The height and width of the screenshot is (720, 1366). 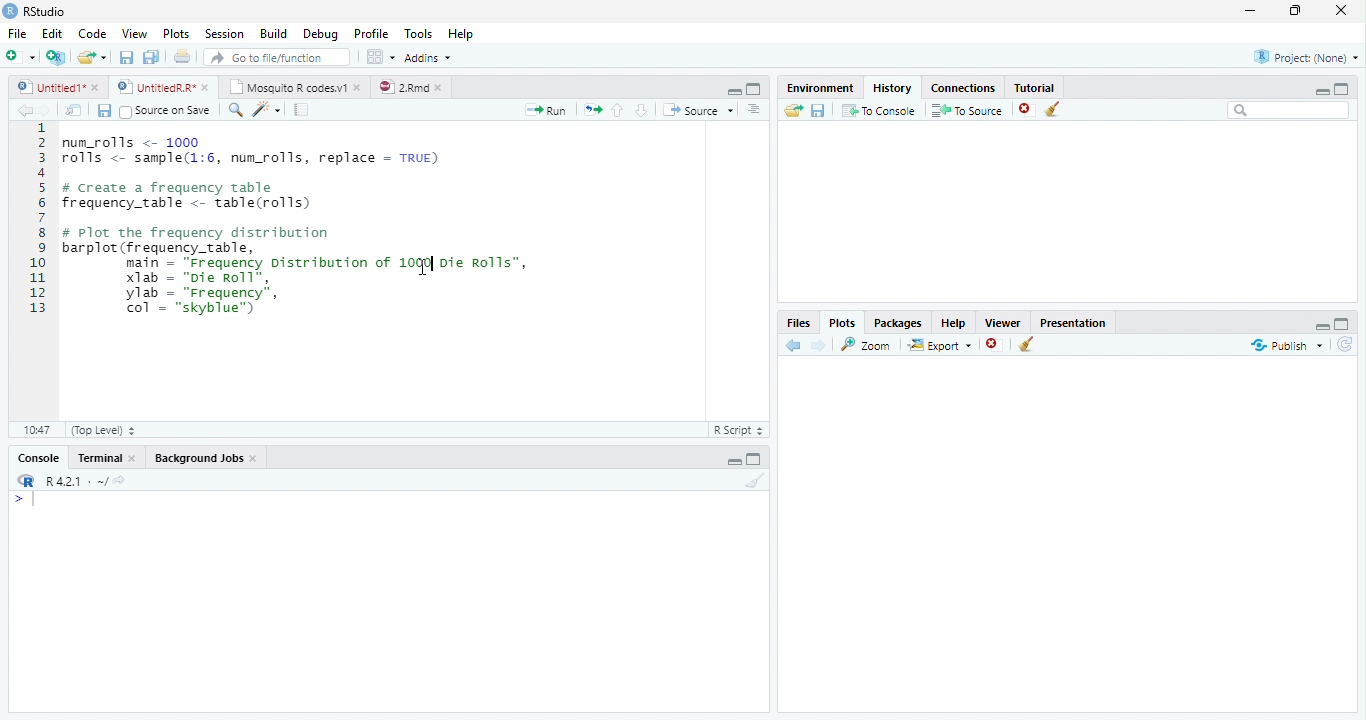 What do you see at coordinates (754, 480) in the screenshot?
I see `Clear` at bounding box center [754, 480].